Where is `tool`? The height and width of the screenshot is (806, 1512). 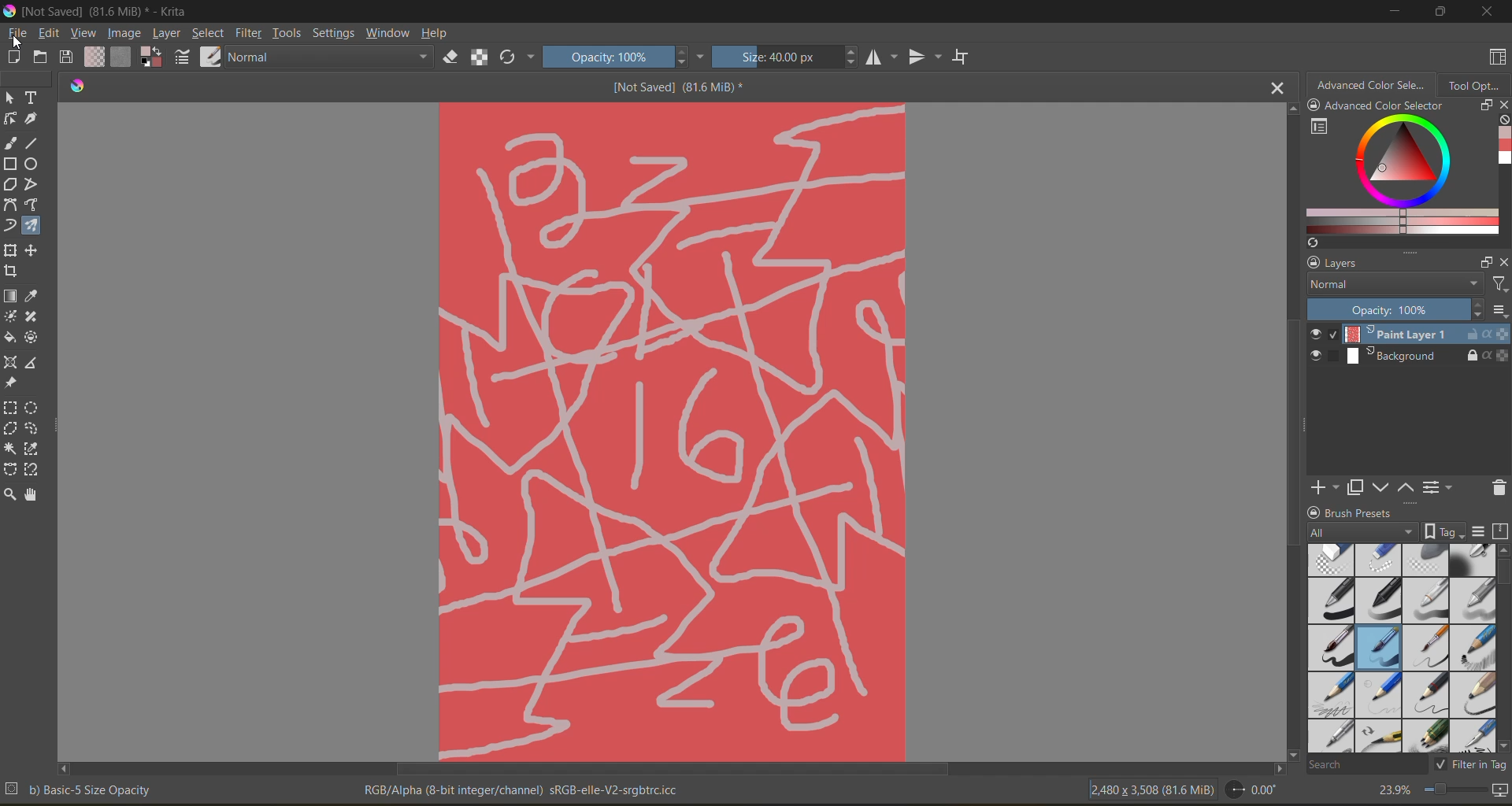 tool is located at coordinates (31, 409).